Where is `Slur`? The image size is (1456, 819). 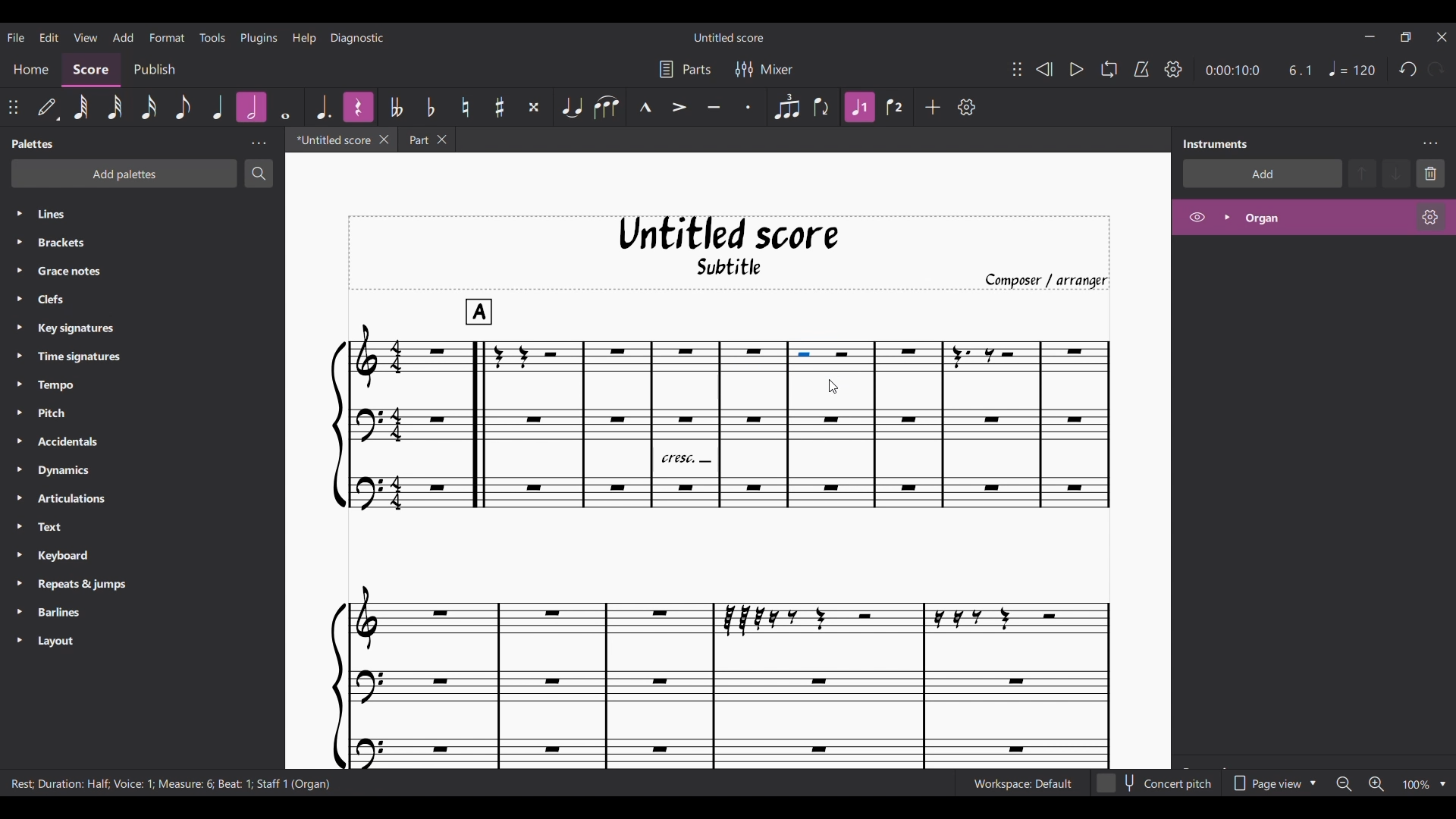
Slur is located at coordinates (605, 107).